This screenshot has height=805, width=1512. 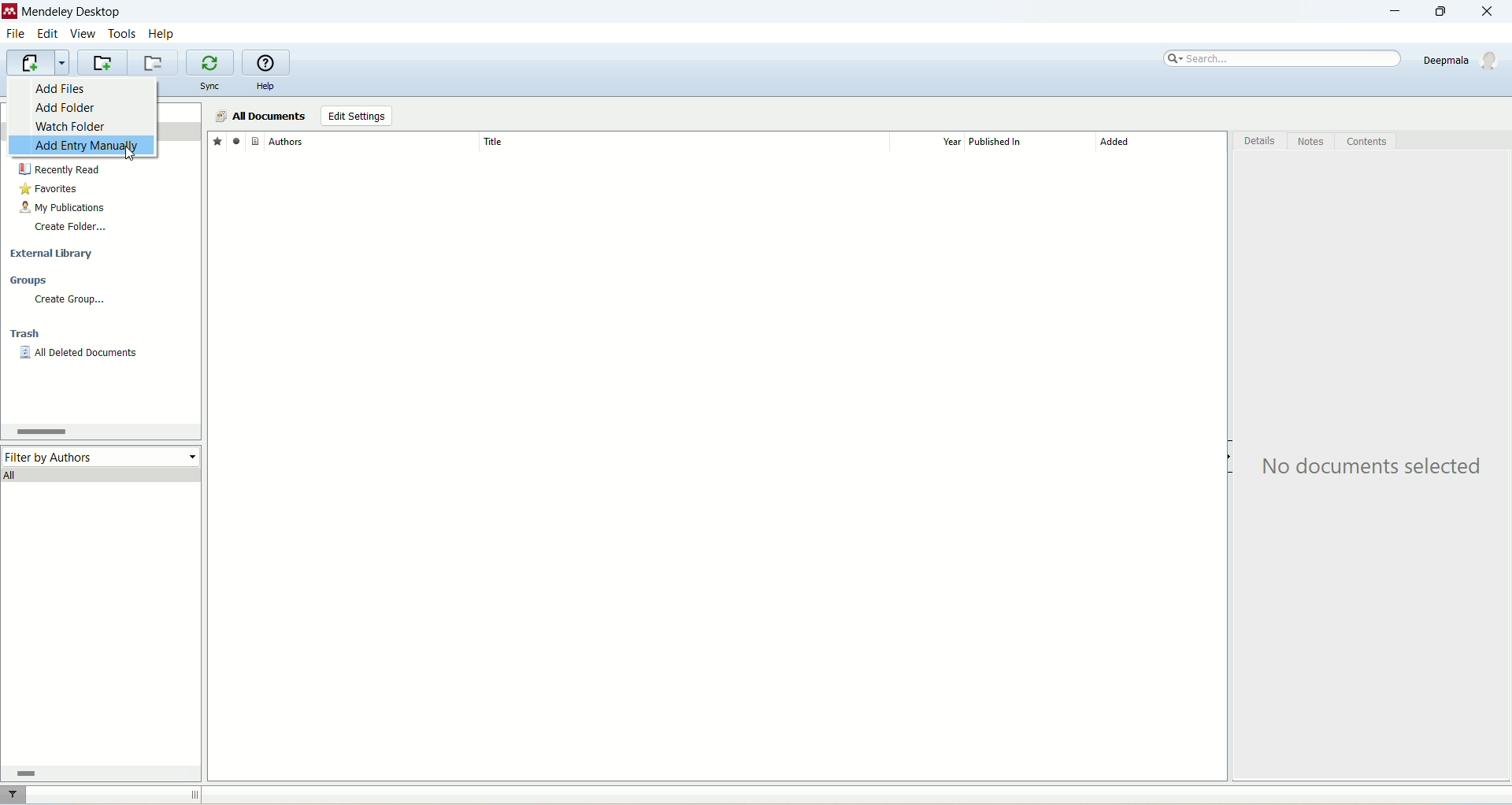 I want to click on close, so click(x=1494, y=12).